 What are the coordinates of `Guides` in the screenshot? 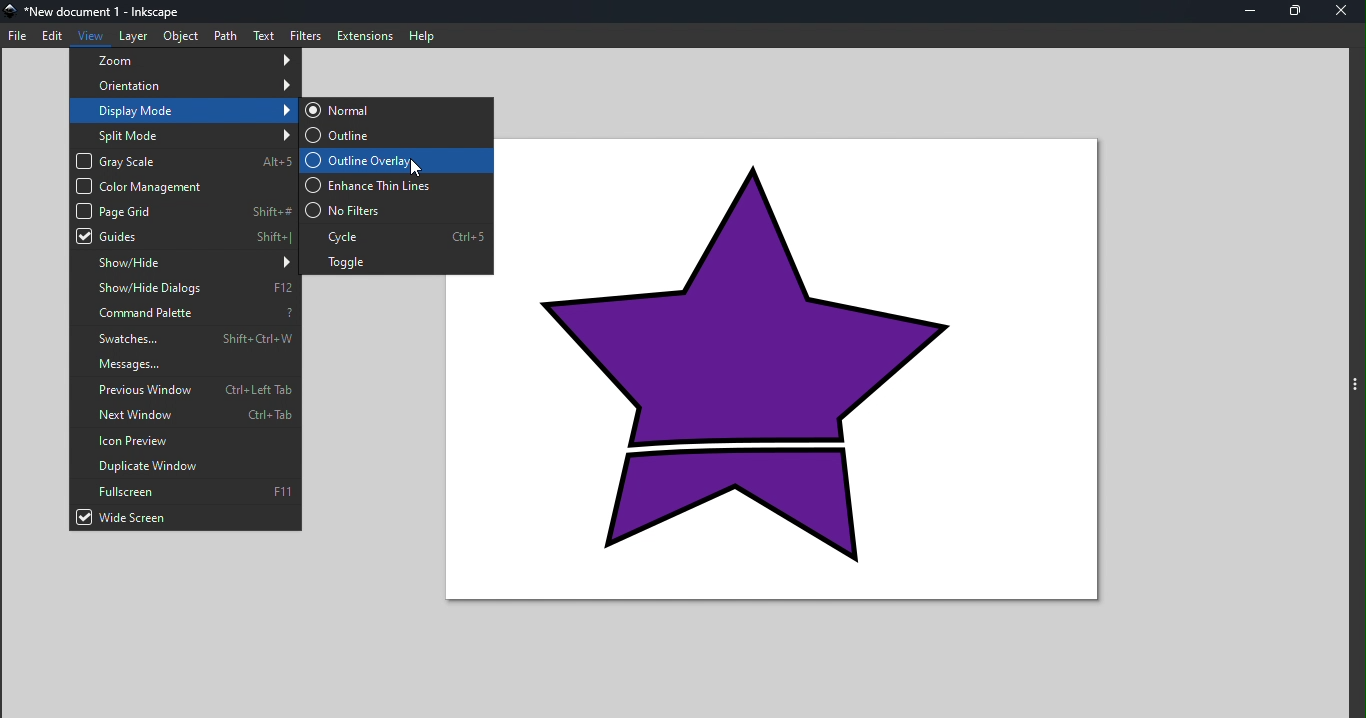 It's located at (185, 237).